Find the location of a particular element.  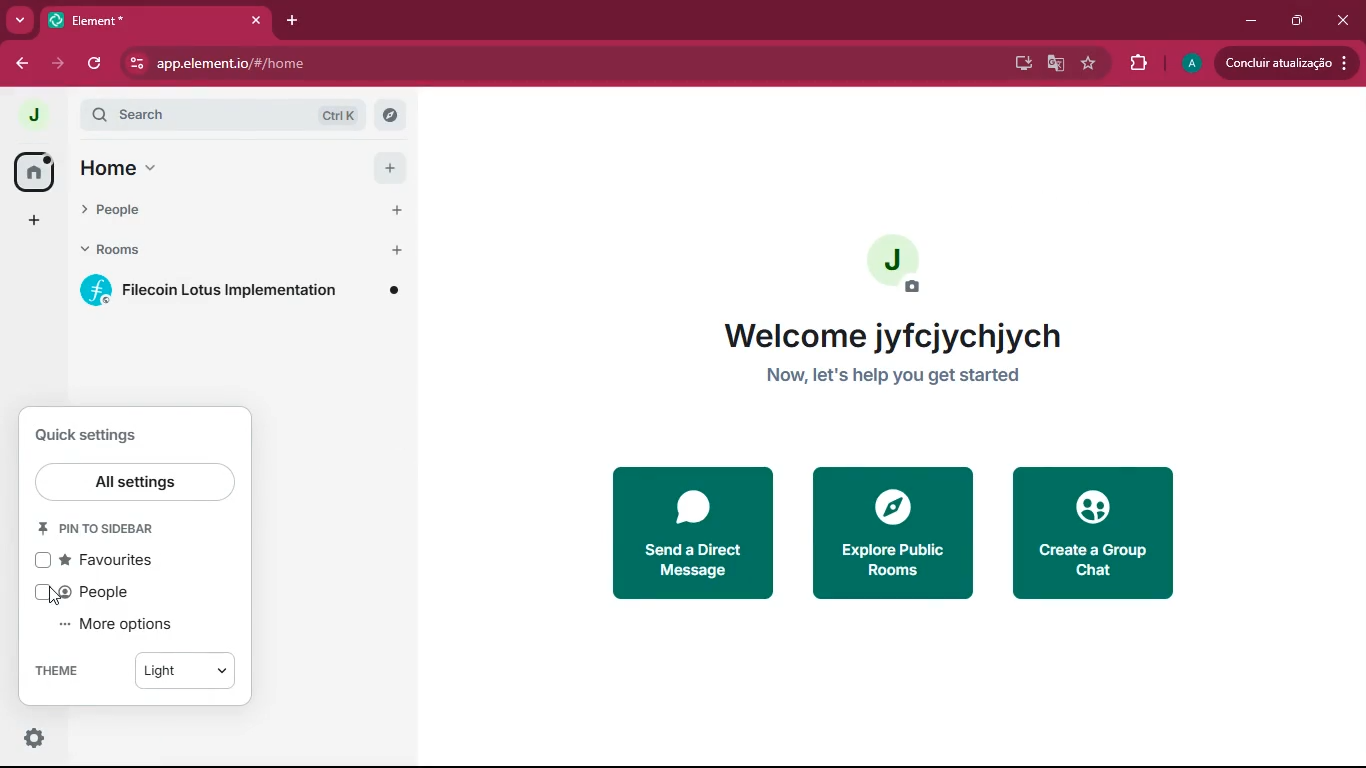

update is located at coordinates (1287, 63).